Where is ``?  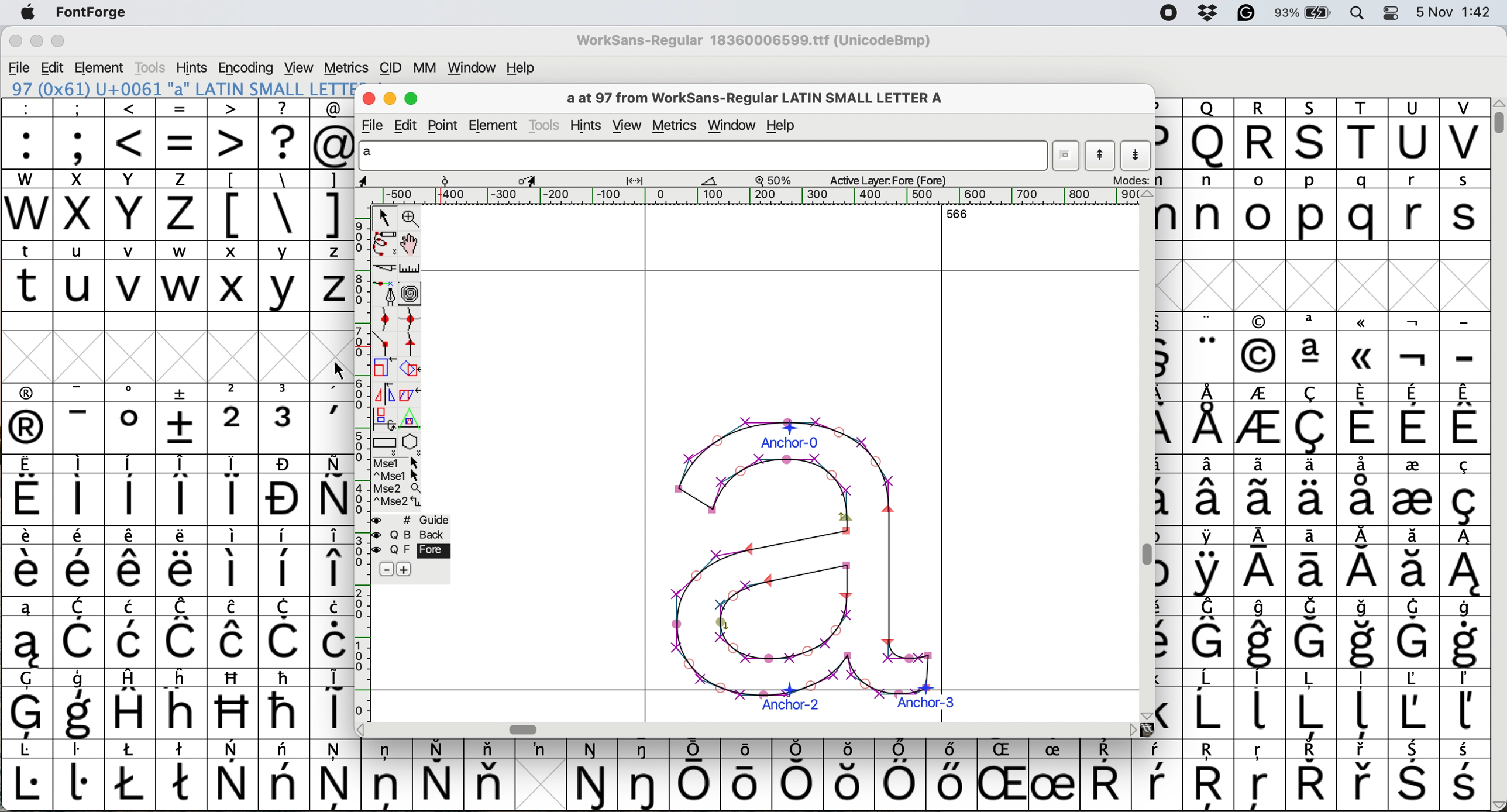
 is located at coordinates (1208, 133).